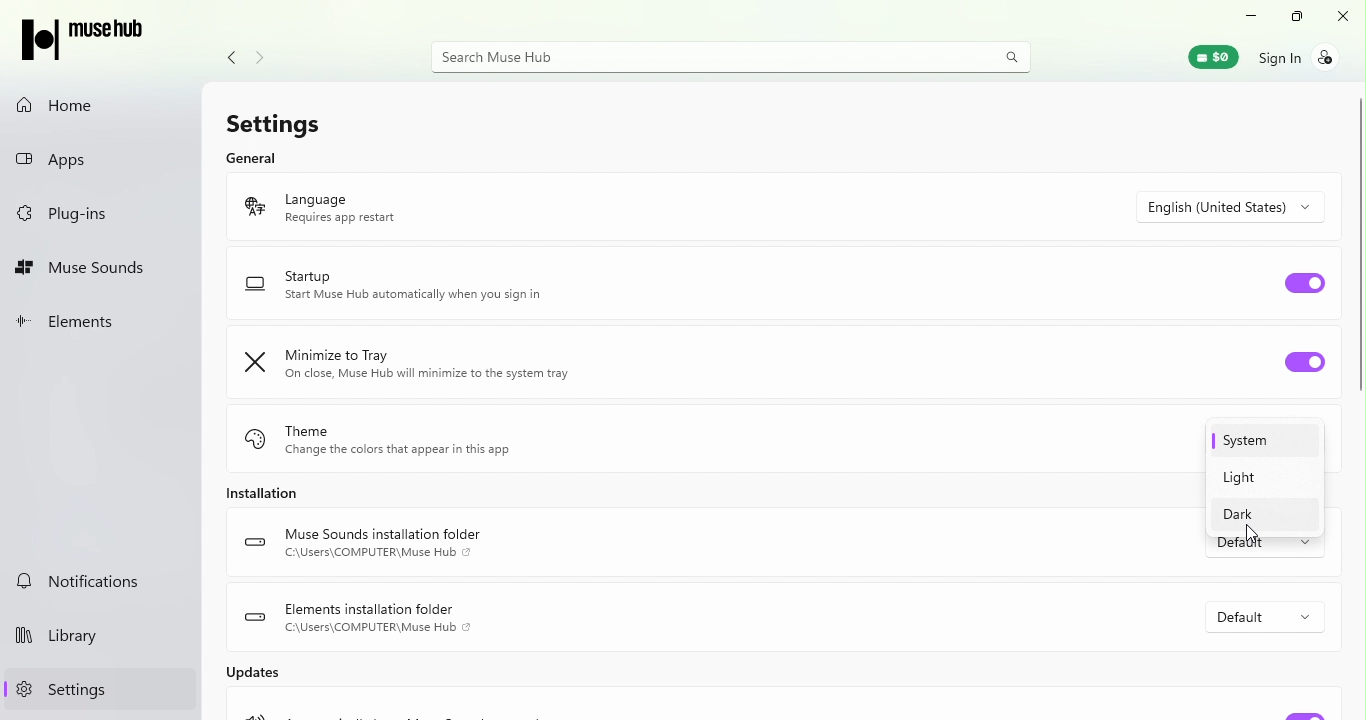  I want to click on System, so click(1264, 442).